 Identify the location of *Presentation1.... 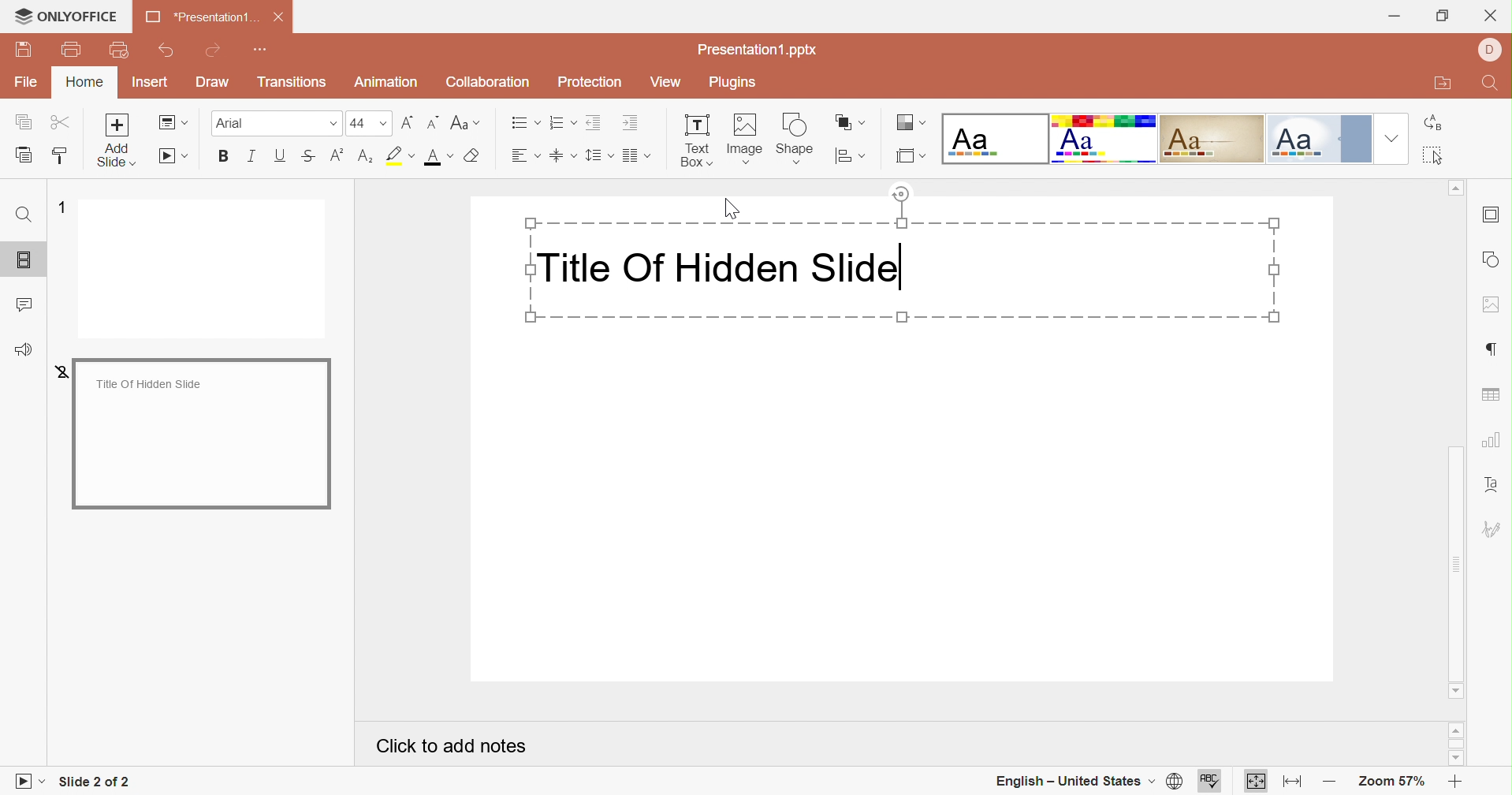
(200, 17).